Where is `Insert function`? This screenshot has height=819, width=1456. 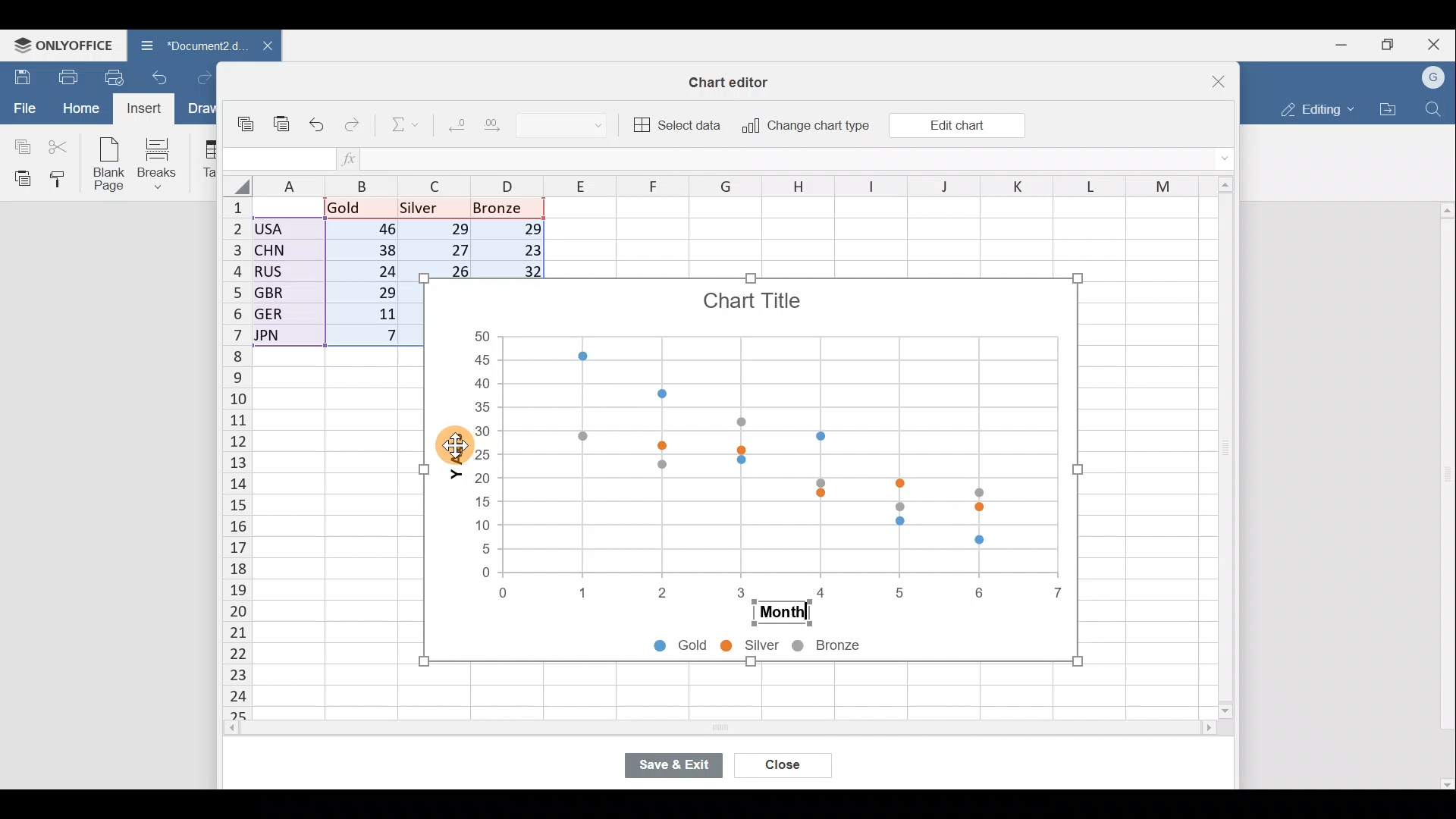 Insert function is located at coordinates (351, 158).